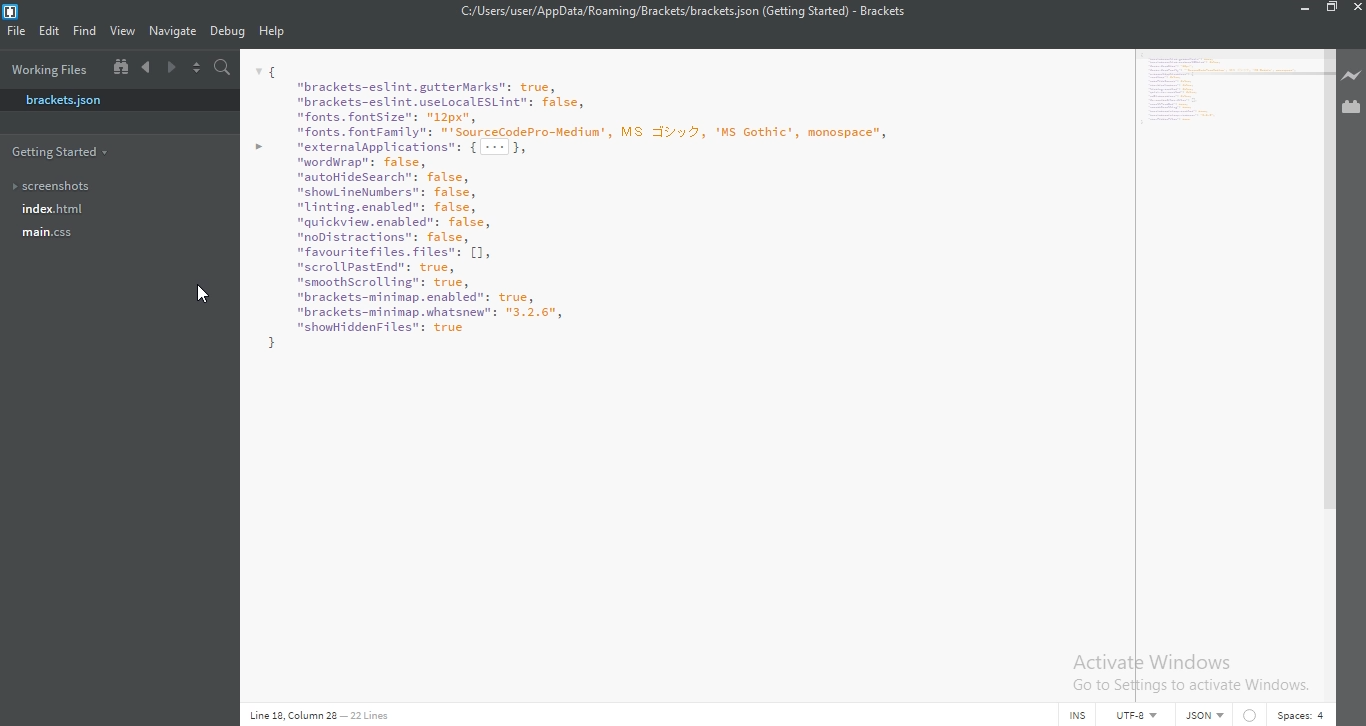  Describe the element at coordinates (1301, 715) in the screenshot. I see `space:4` at that location.